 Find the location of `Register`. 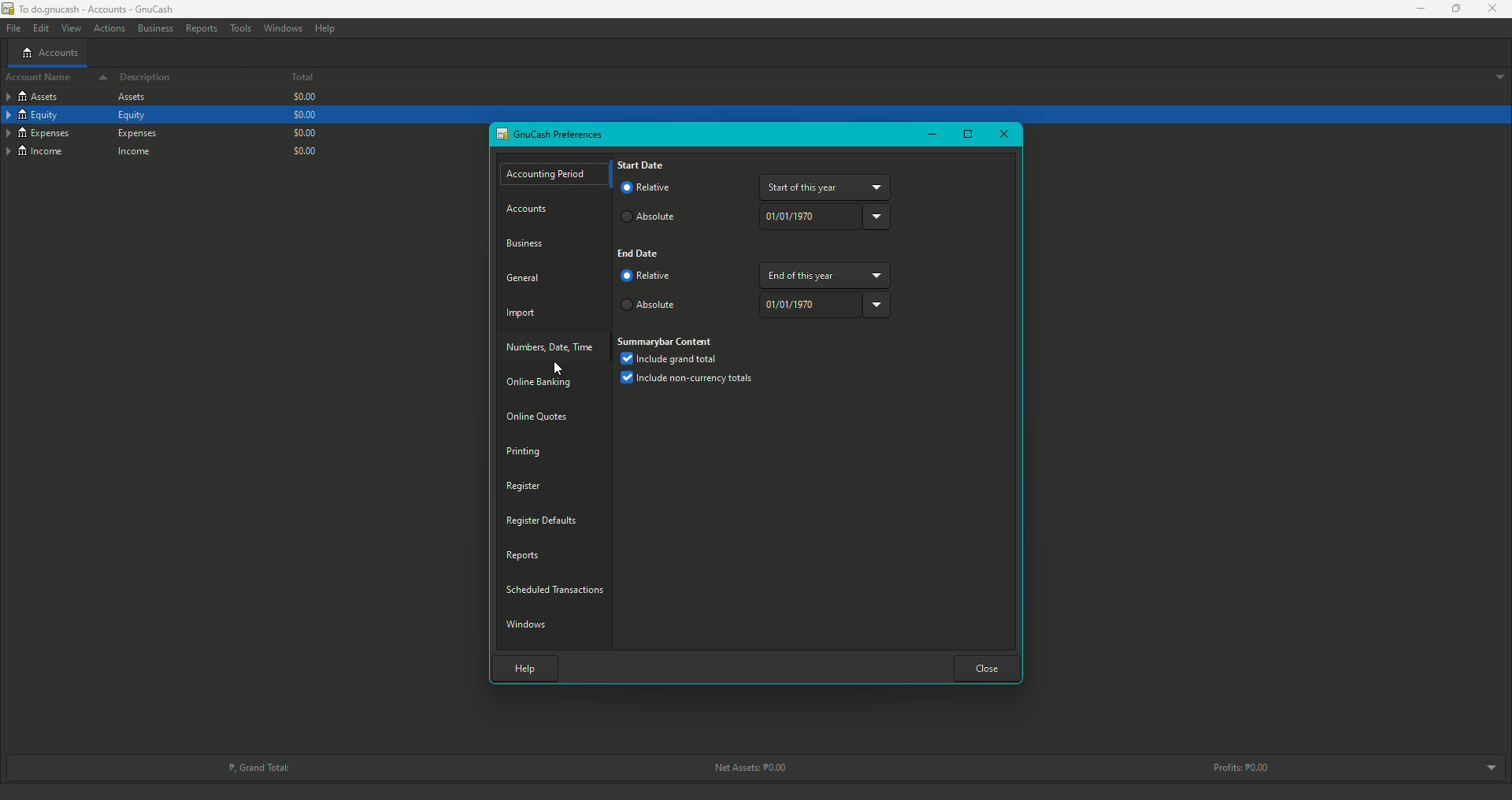

Register is located at coordinates (522, 485).